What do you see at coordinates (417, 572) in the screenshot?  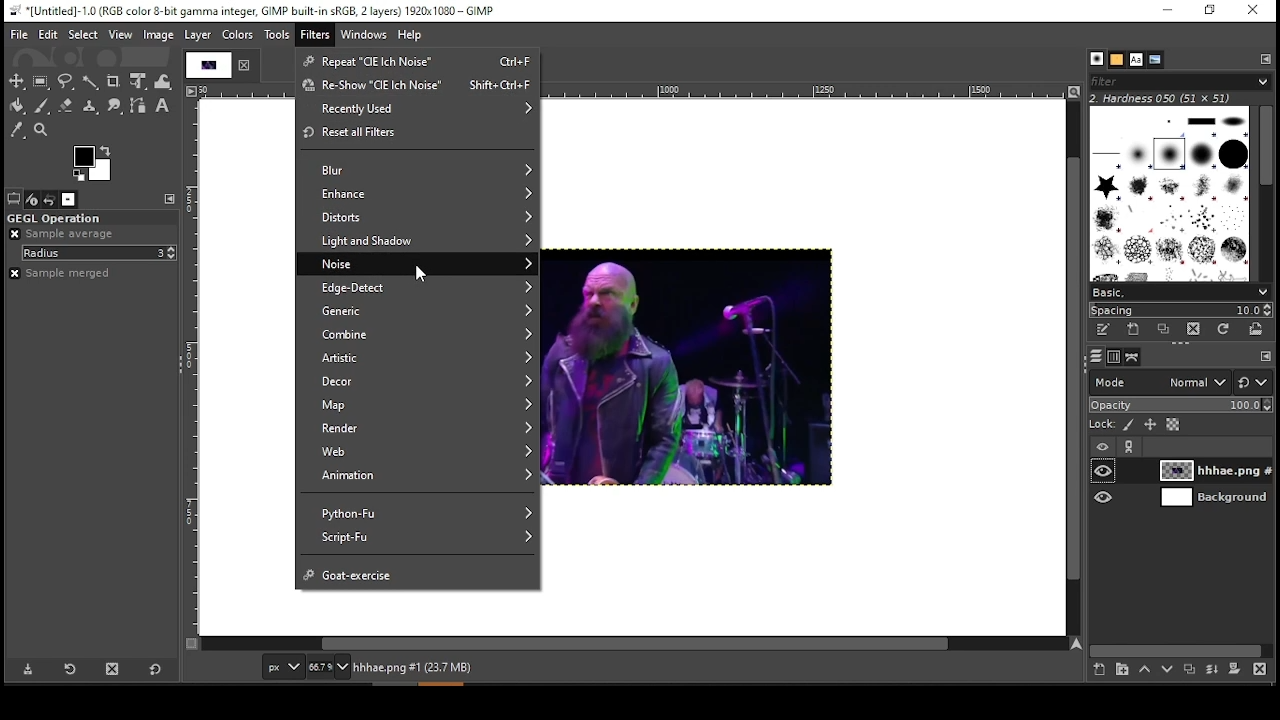 I see `goat exercise` at bounding box center [417, 572].